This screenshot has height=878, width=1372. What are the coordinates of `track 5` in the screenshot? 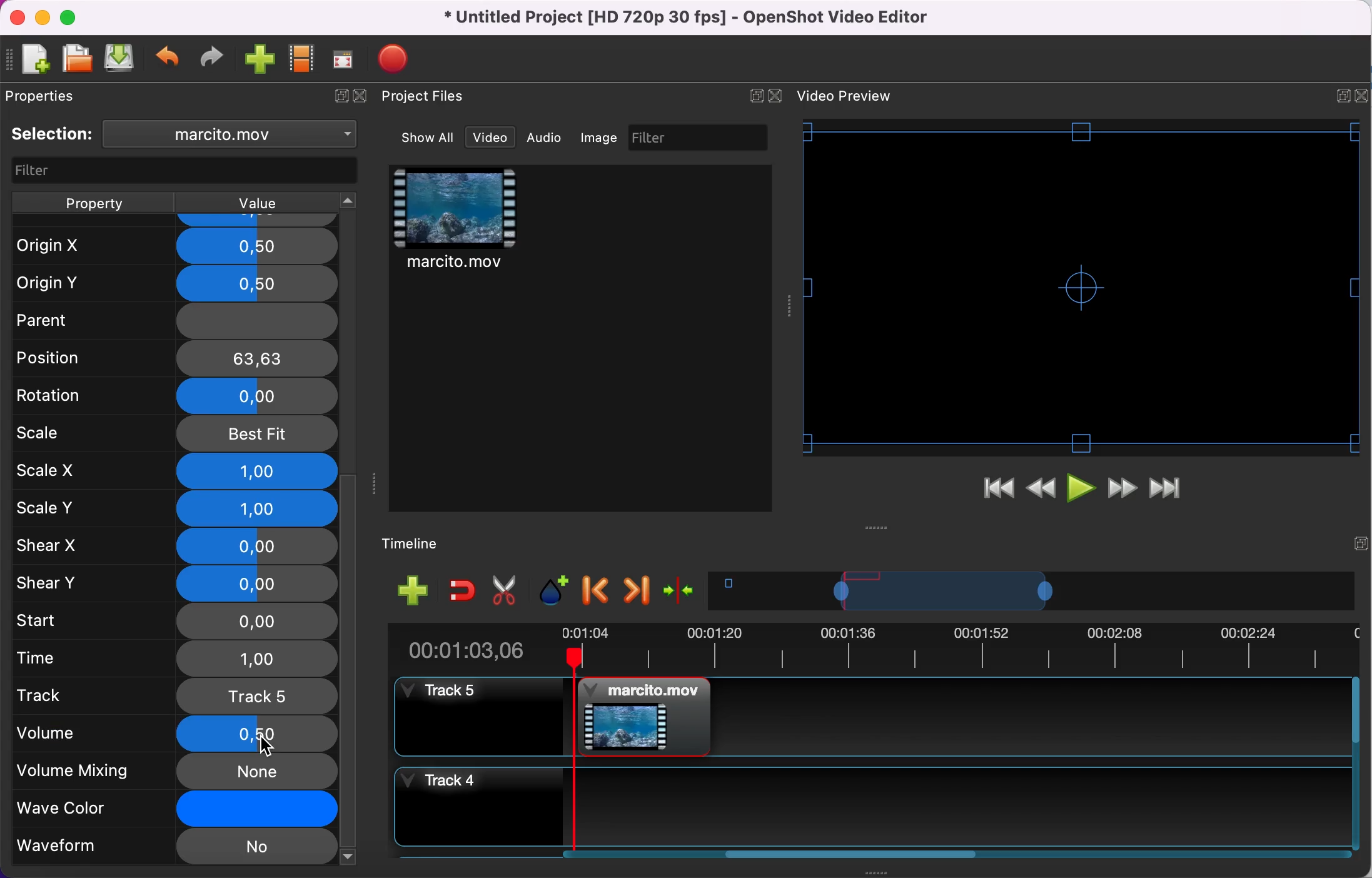 It's located at (870, 717).